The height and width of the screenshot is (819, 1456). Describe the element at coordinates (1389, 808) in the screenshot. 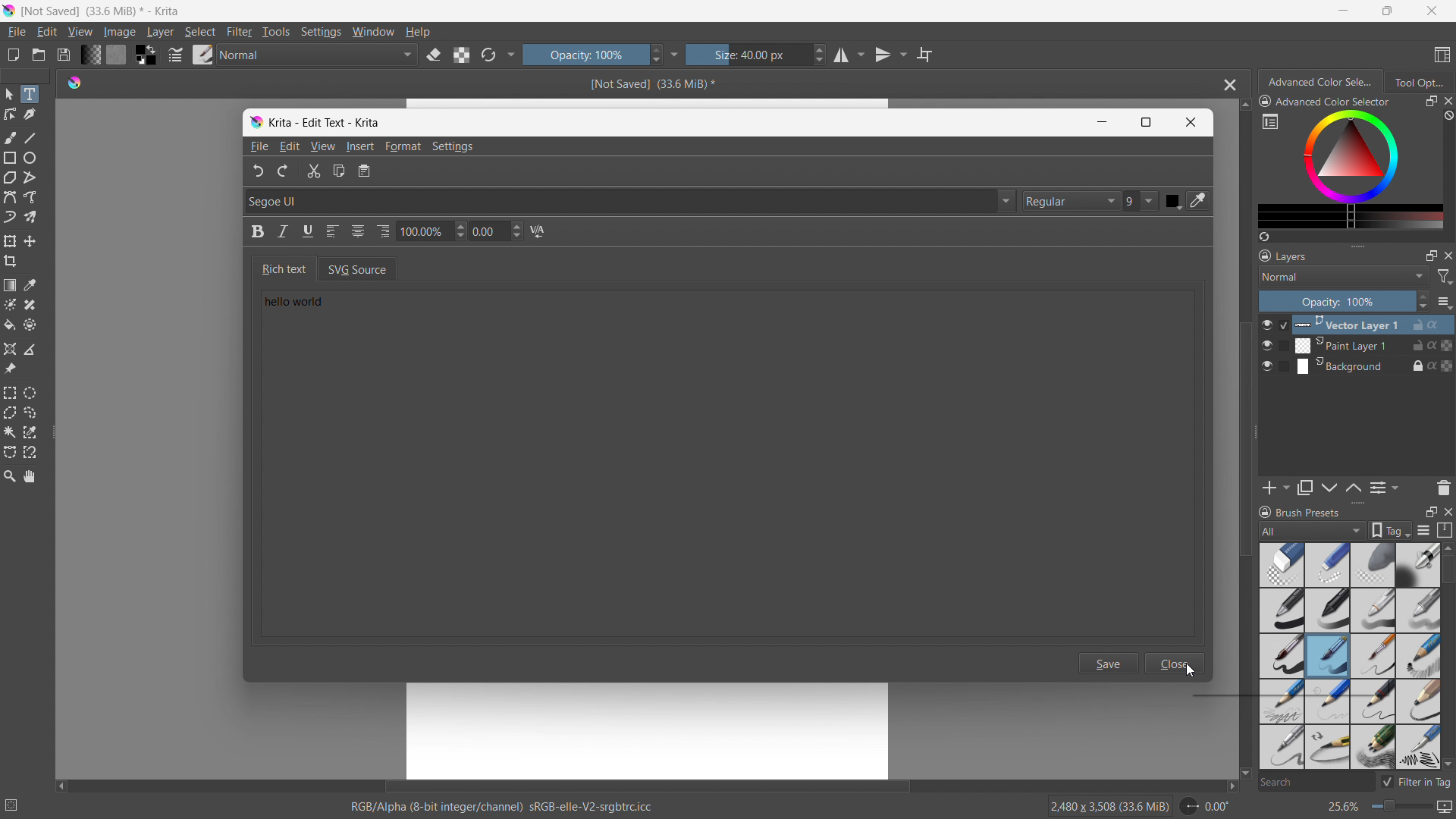

I see `zoom level` at that location.